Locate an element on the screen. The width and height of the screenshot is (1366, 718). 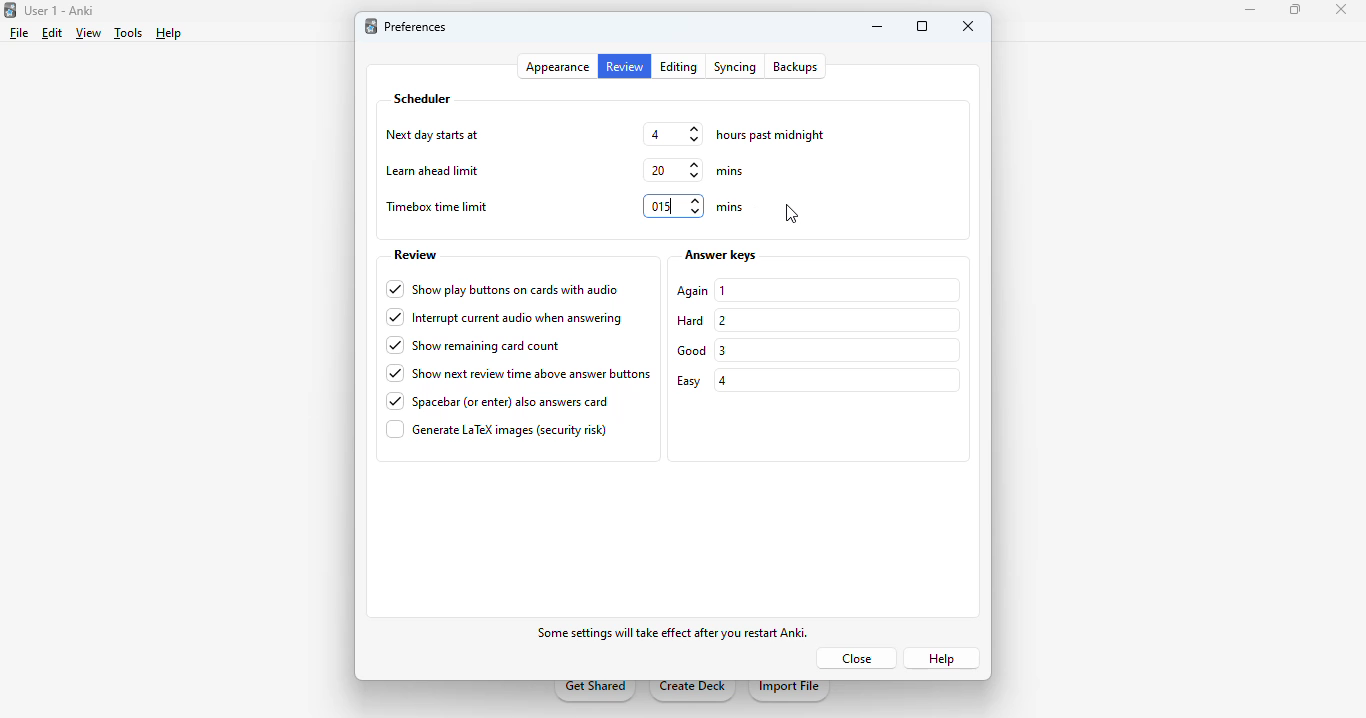
scheduler is located at coordinates (423, 99).